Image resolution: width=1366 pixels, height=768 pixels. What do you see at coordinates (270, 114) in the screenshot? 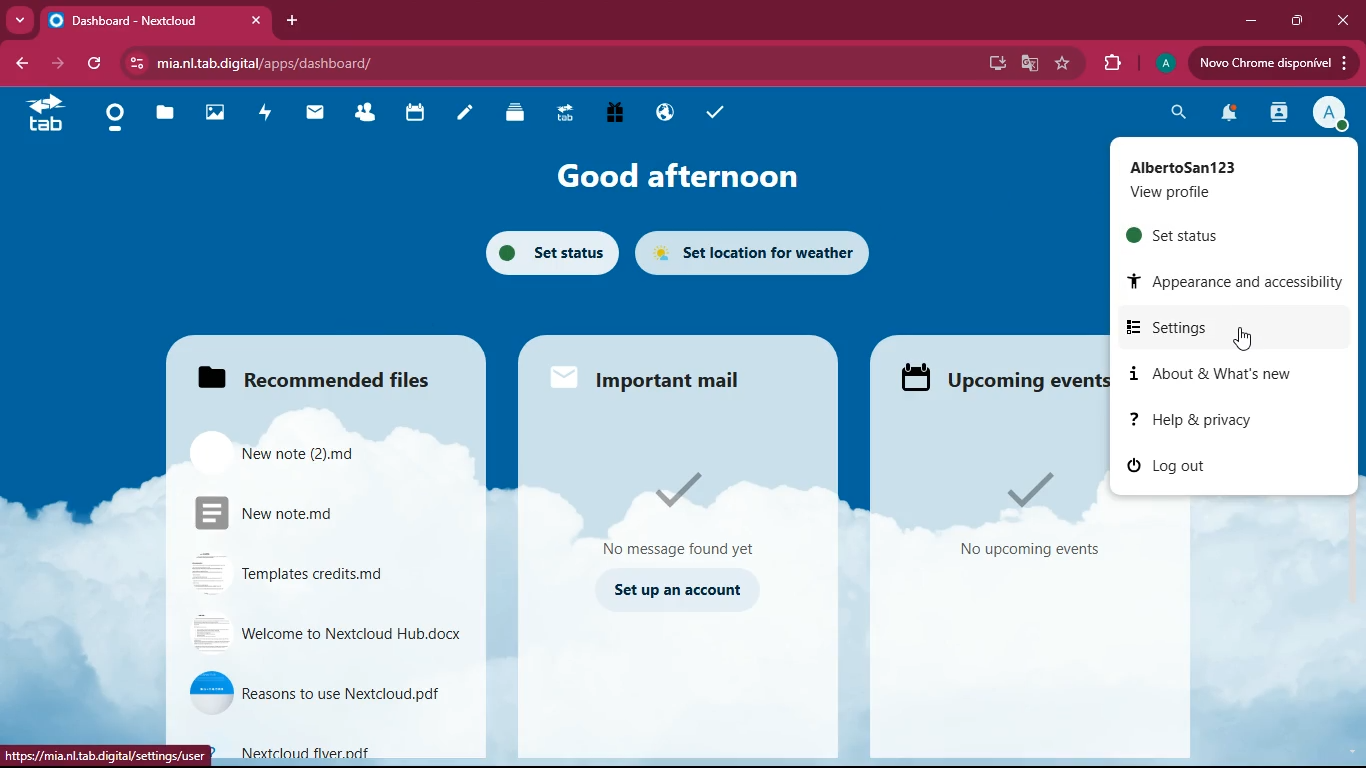
I see `activity` at bounding box center [270, 114].